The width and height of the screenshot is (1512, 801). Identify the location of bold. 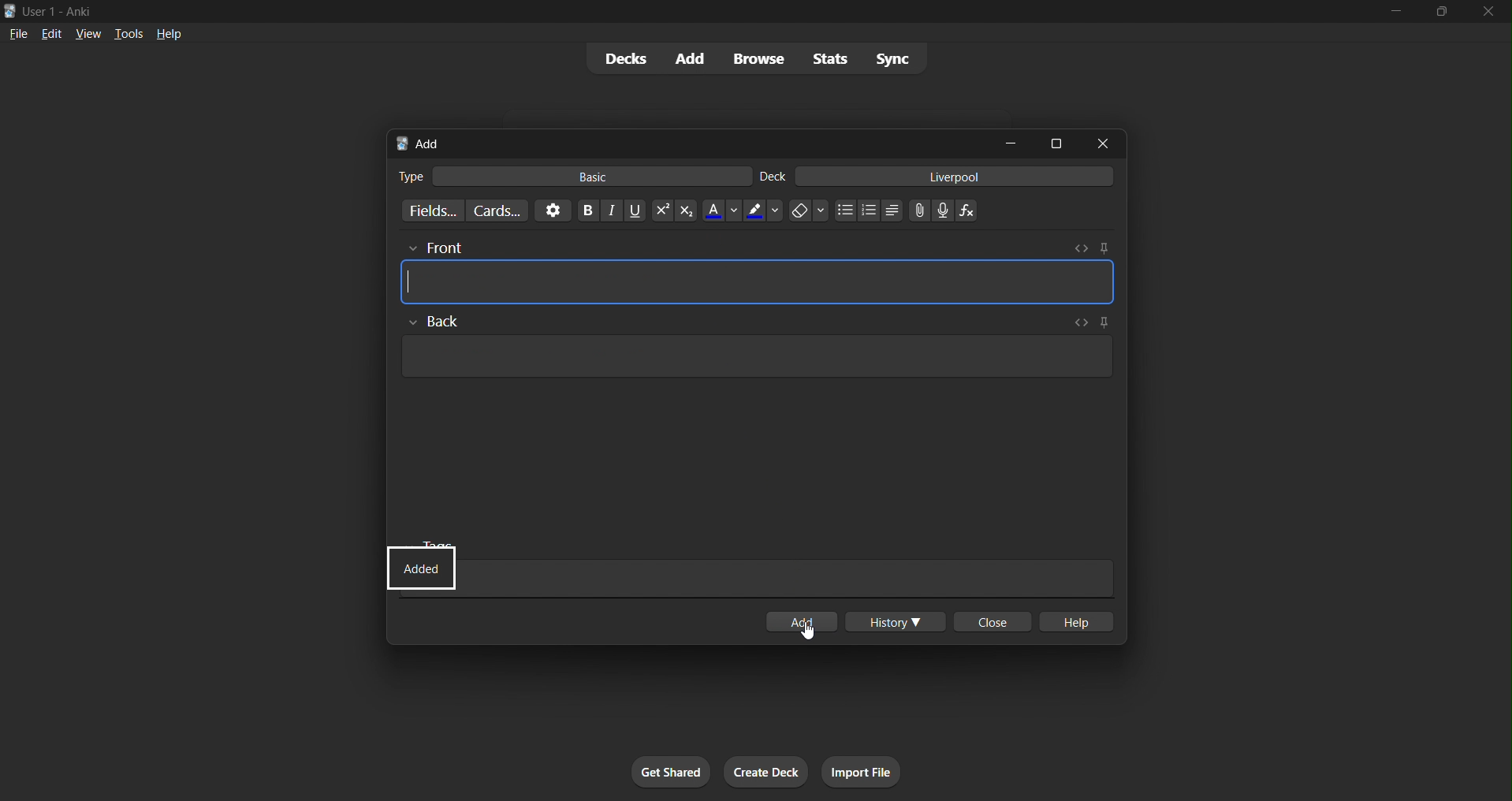
(582, 209).